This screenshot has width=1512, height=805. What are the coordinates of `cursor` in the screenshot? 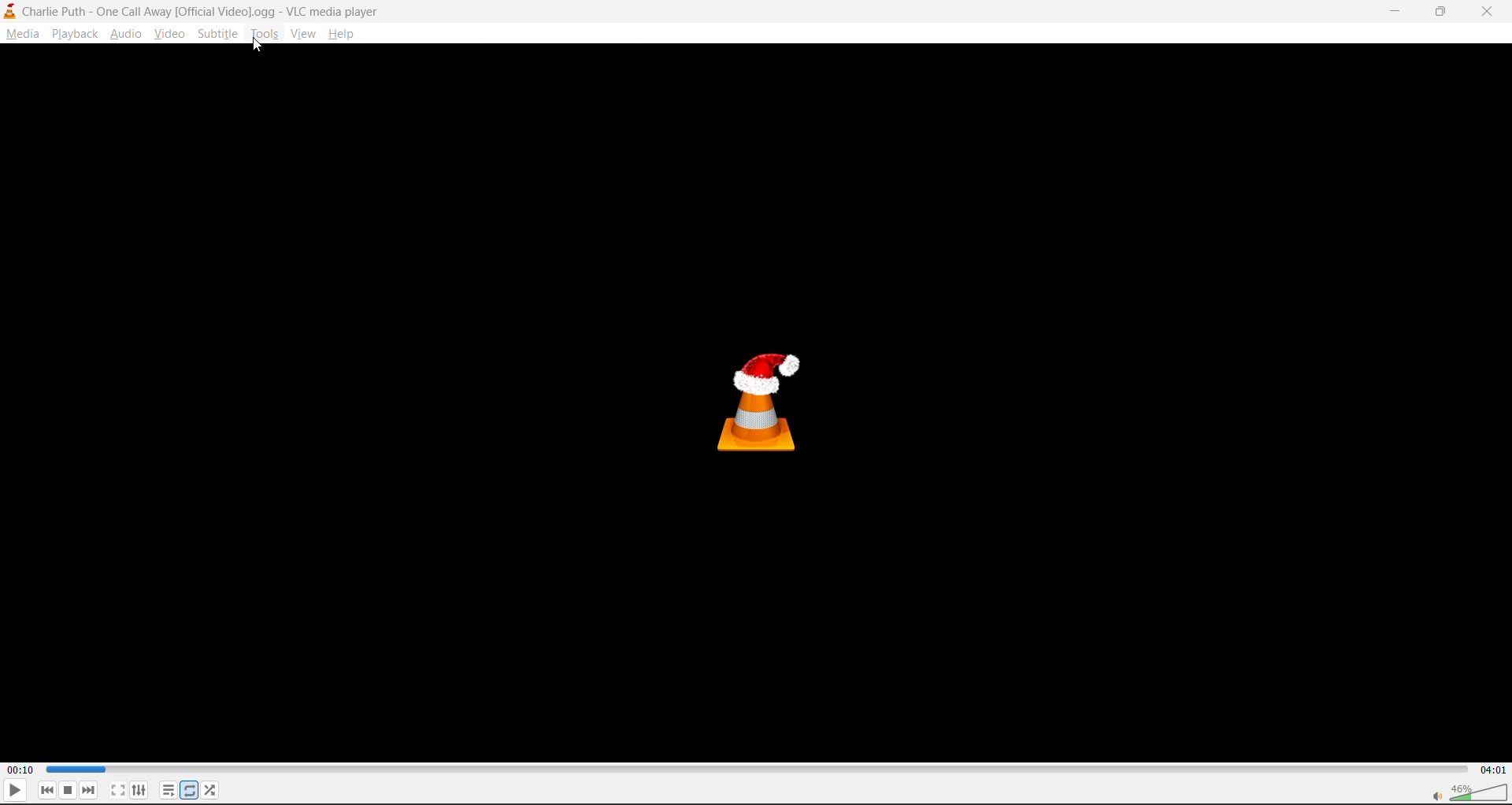 It's located at (257, 45).